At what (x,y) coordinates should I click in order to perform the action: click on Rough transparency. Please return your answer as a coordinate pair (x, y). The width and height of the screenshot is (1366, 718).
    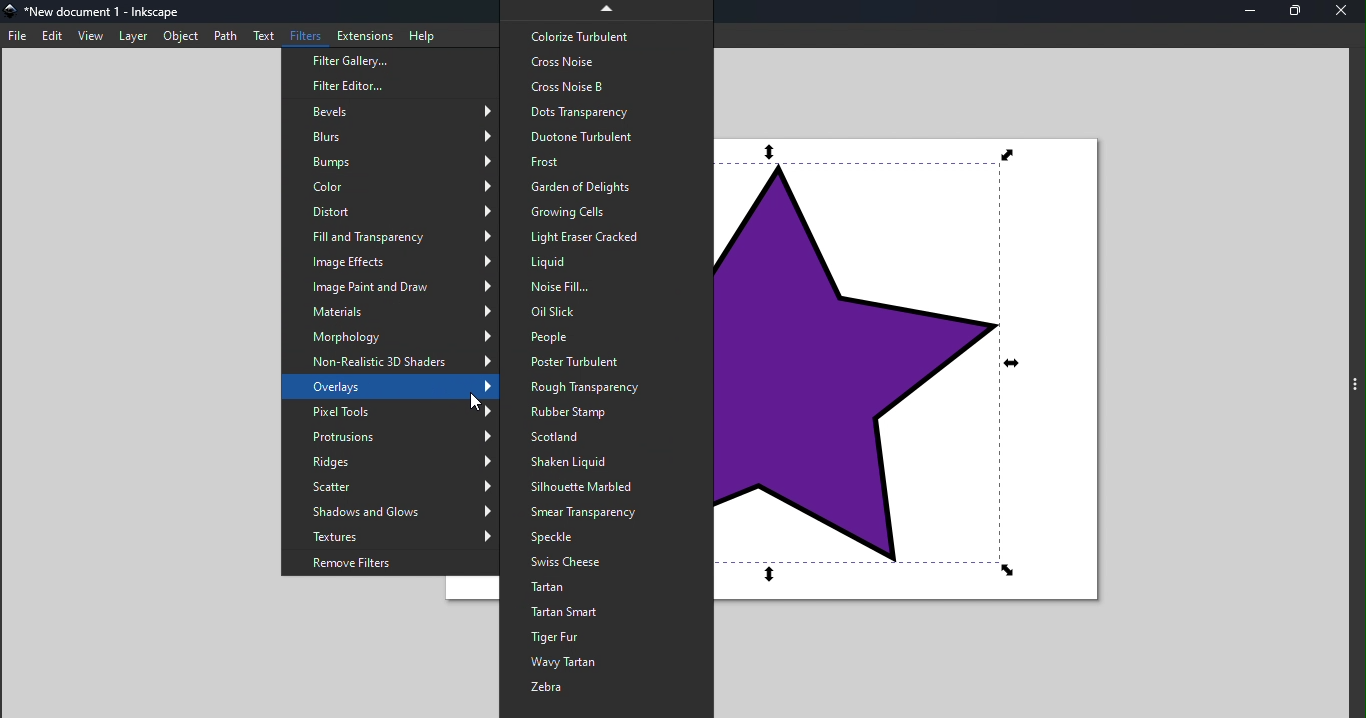
    Looking at the image, I should click on (612, 386).